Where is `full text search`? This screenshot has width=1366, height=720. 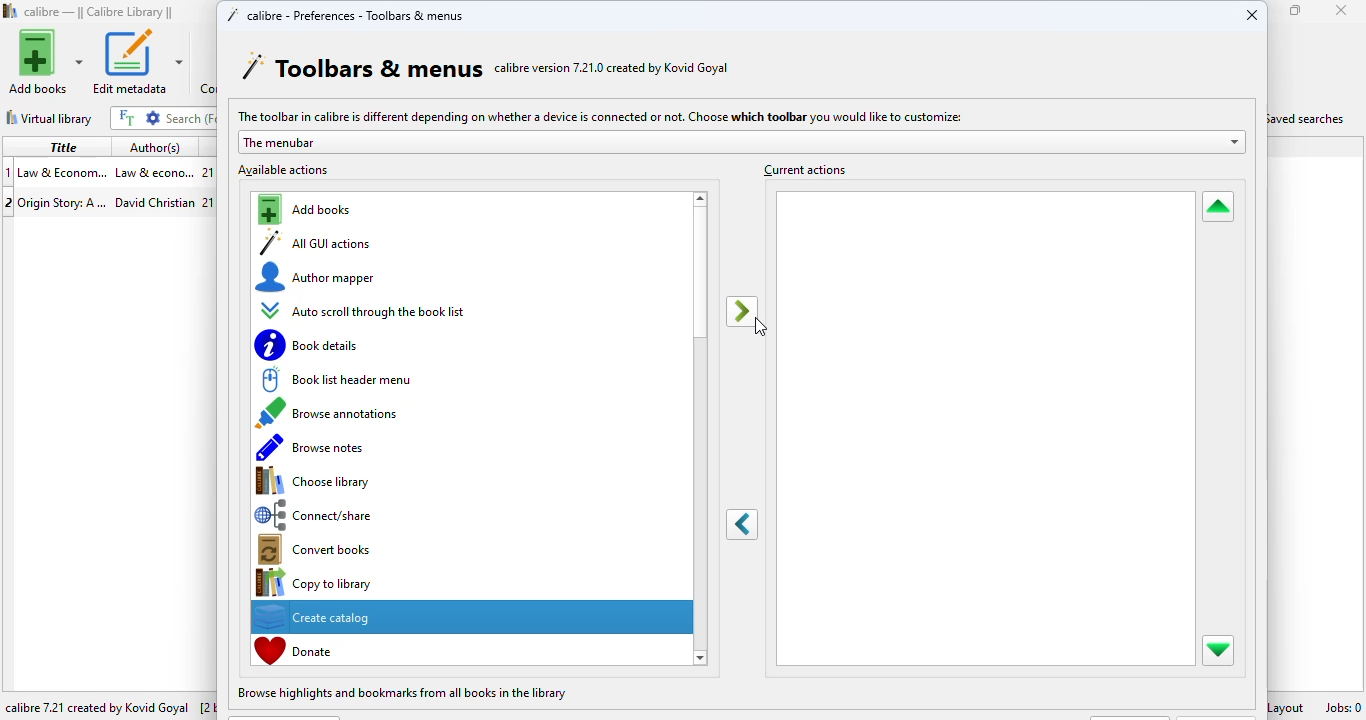 full text search is located at coordinates (126, 117).